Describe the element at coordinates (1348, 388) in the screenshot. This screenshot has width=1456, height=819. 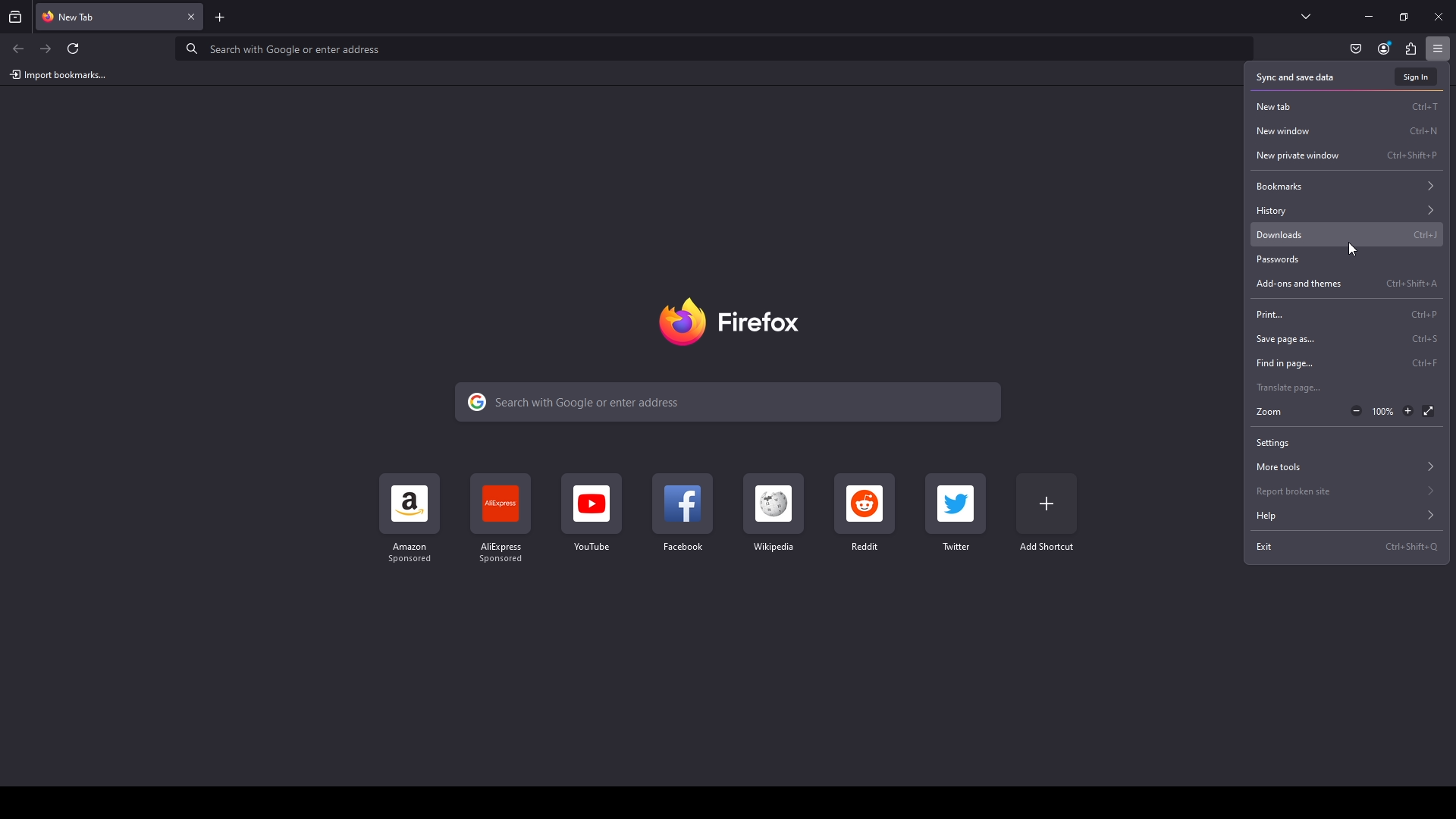
I see `Translate page` at that location.